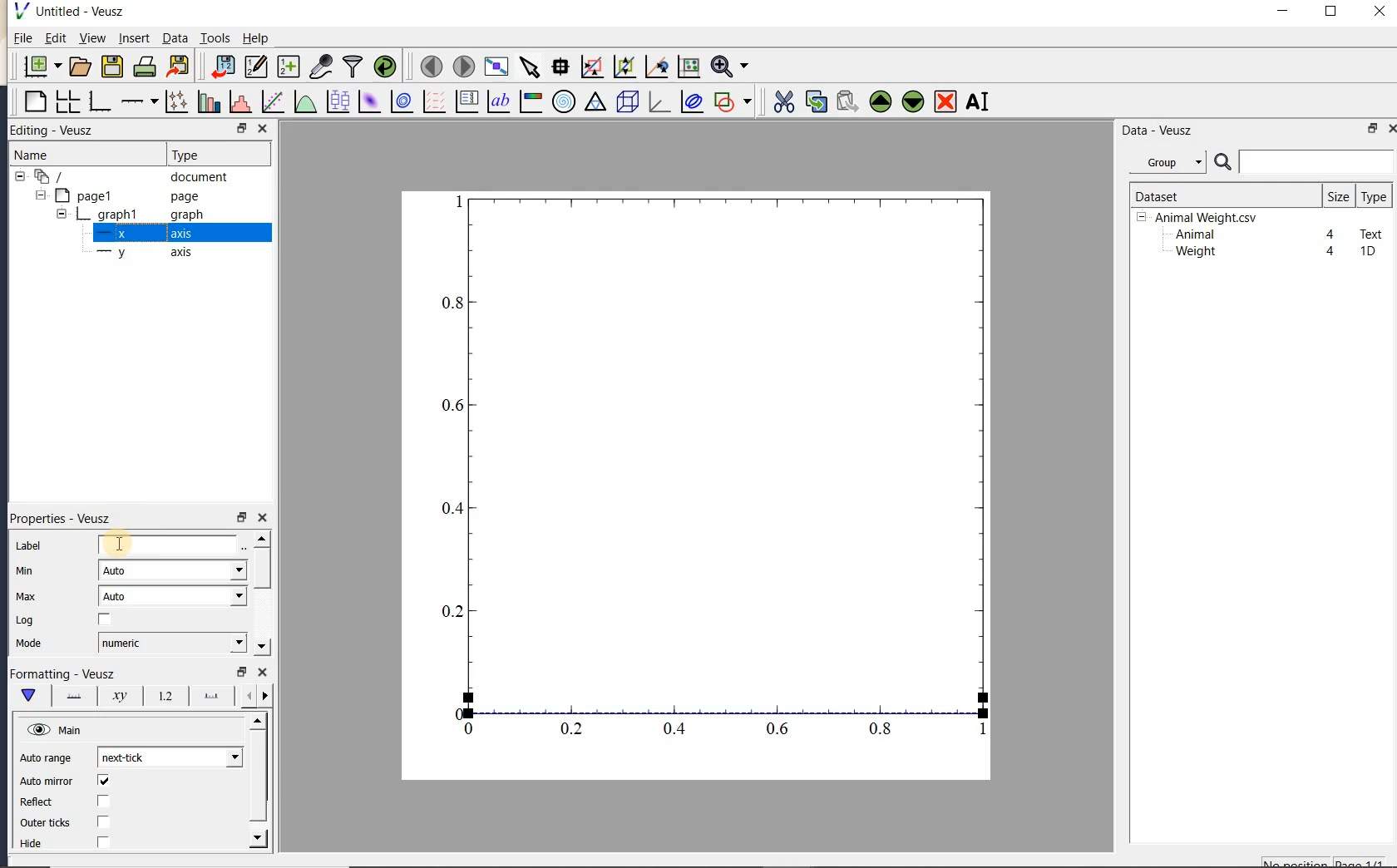 The height and width of the screenshot is (868, 1397). What do you see at coordinates (944, 103) in the screenshot?
I see `remove the selected widget` at bounding box center [944, 103].